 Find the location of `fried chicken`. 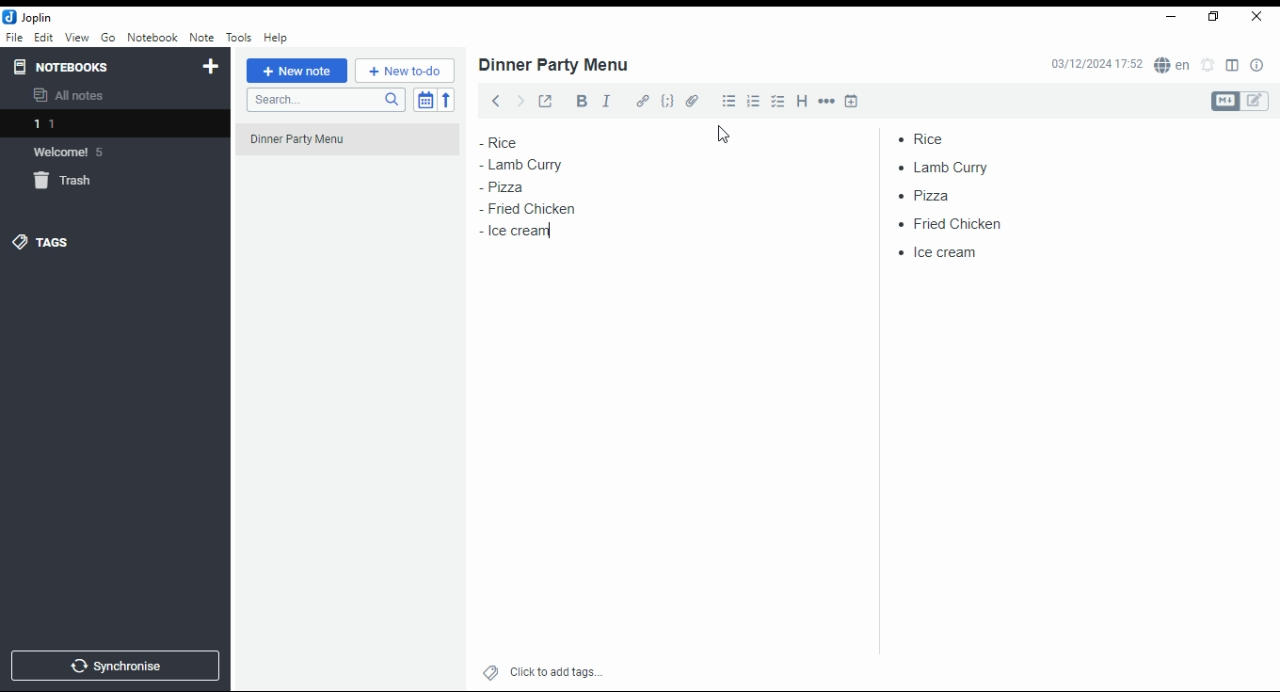

fried chicken is located at coordinates (956, 223).